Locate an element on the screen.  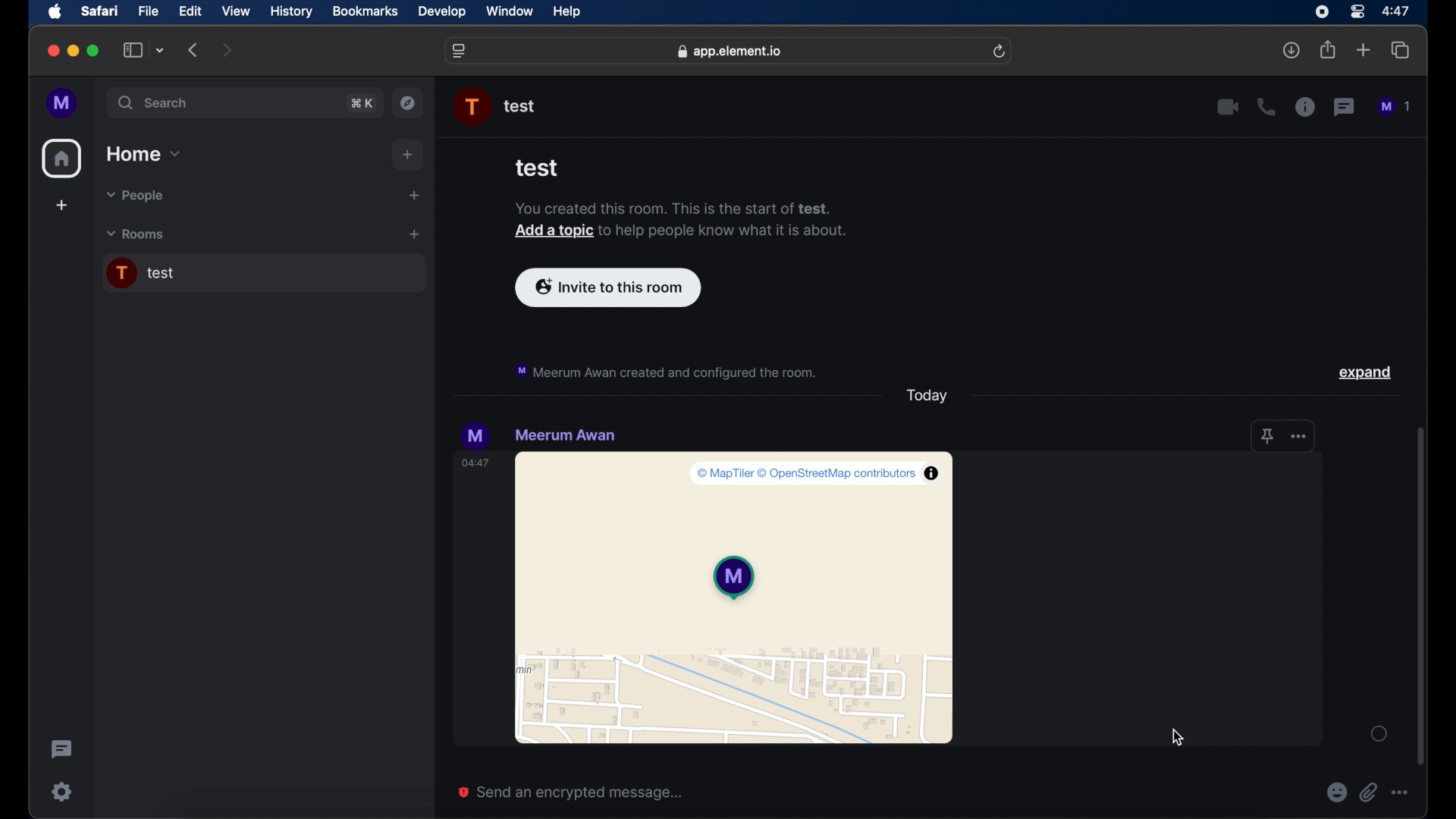
explore rooms is located at coordinates (409, 102).